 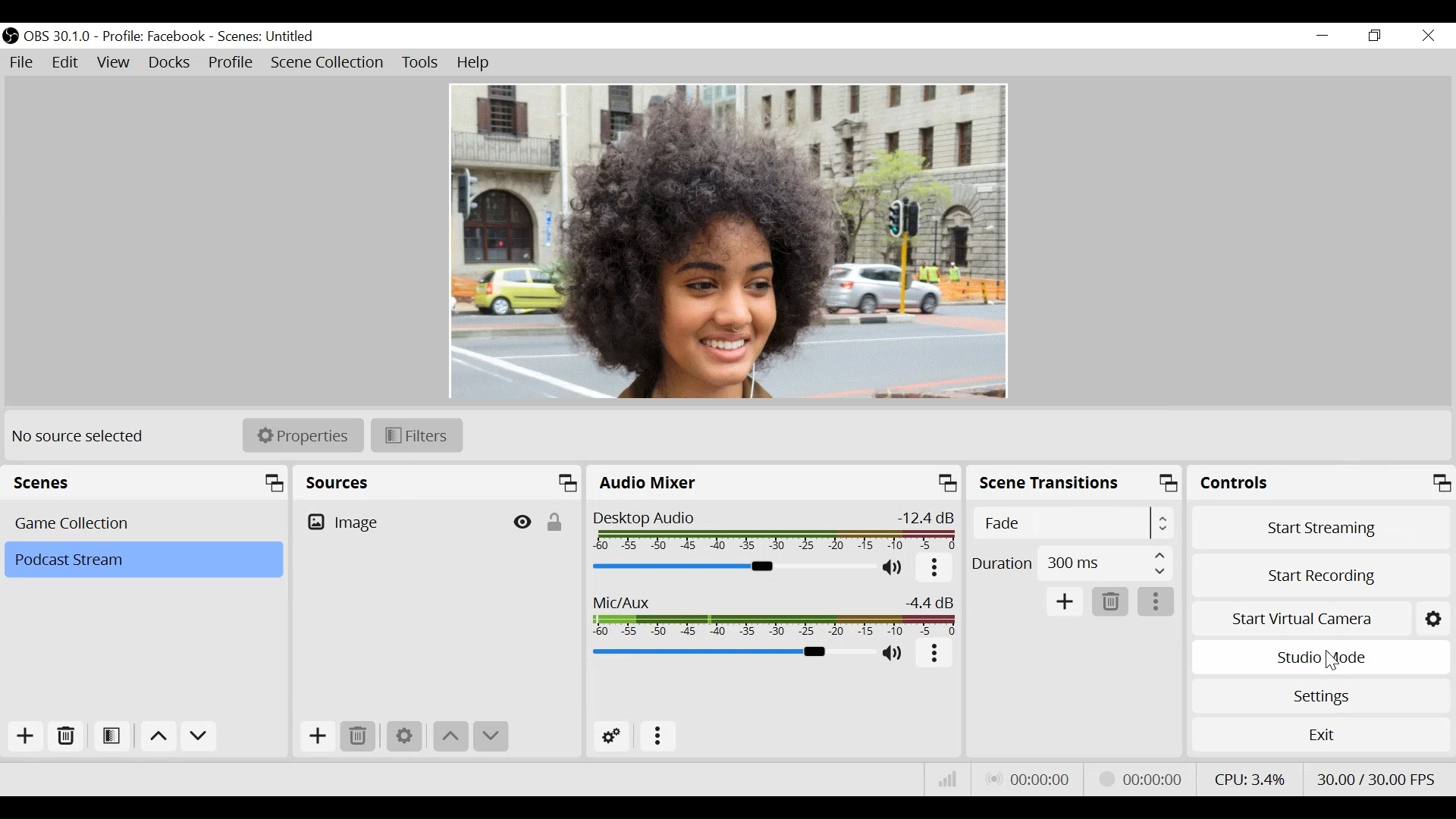 I want to click on more options, so click(x=934, y=568).